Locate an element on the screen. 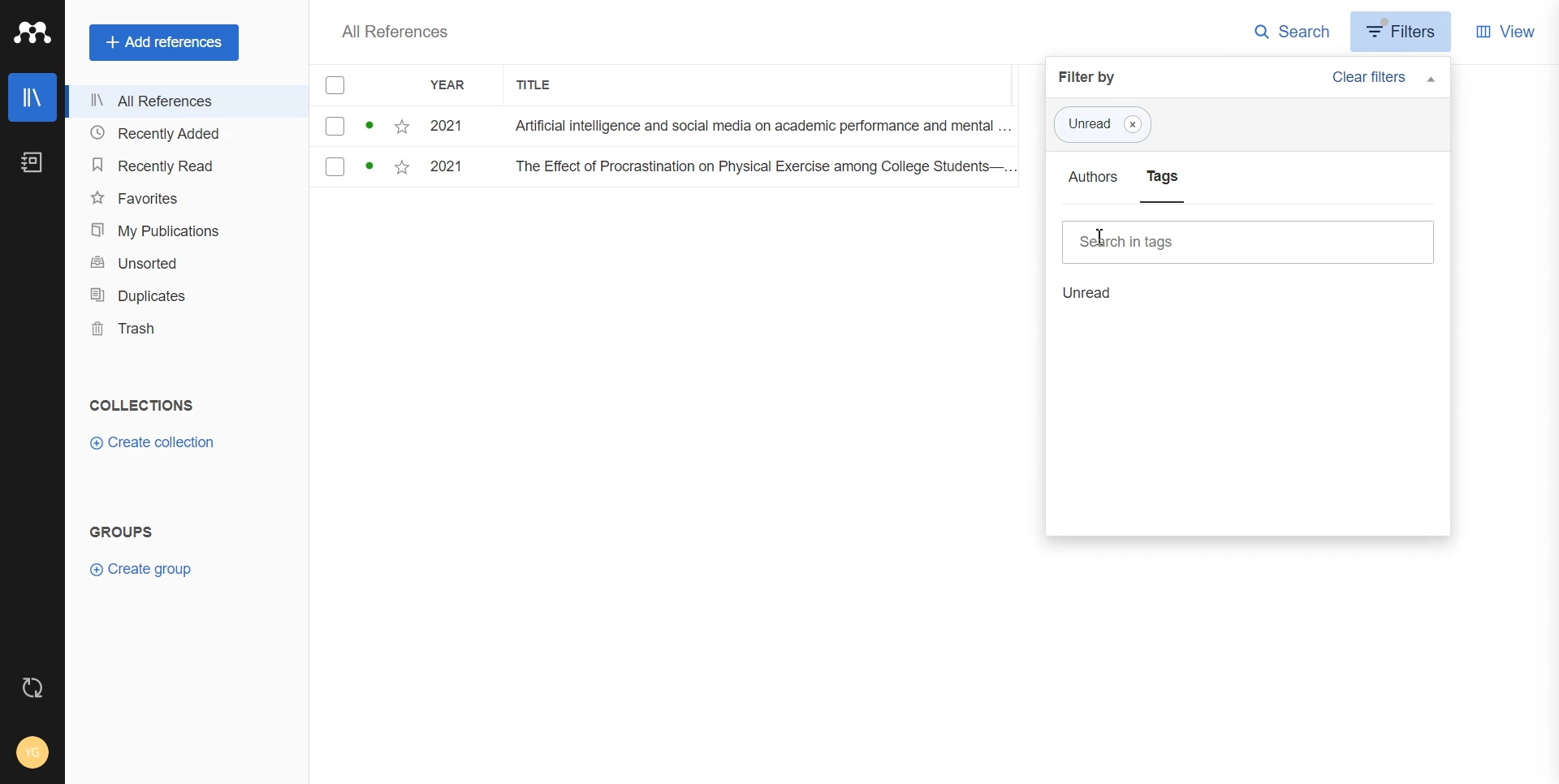 This screenshot has height=784, width=1559. checkbox is located at coordinates (362, 210).